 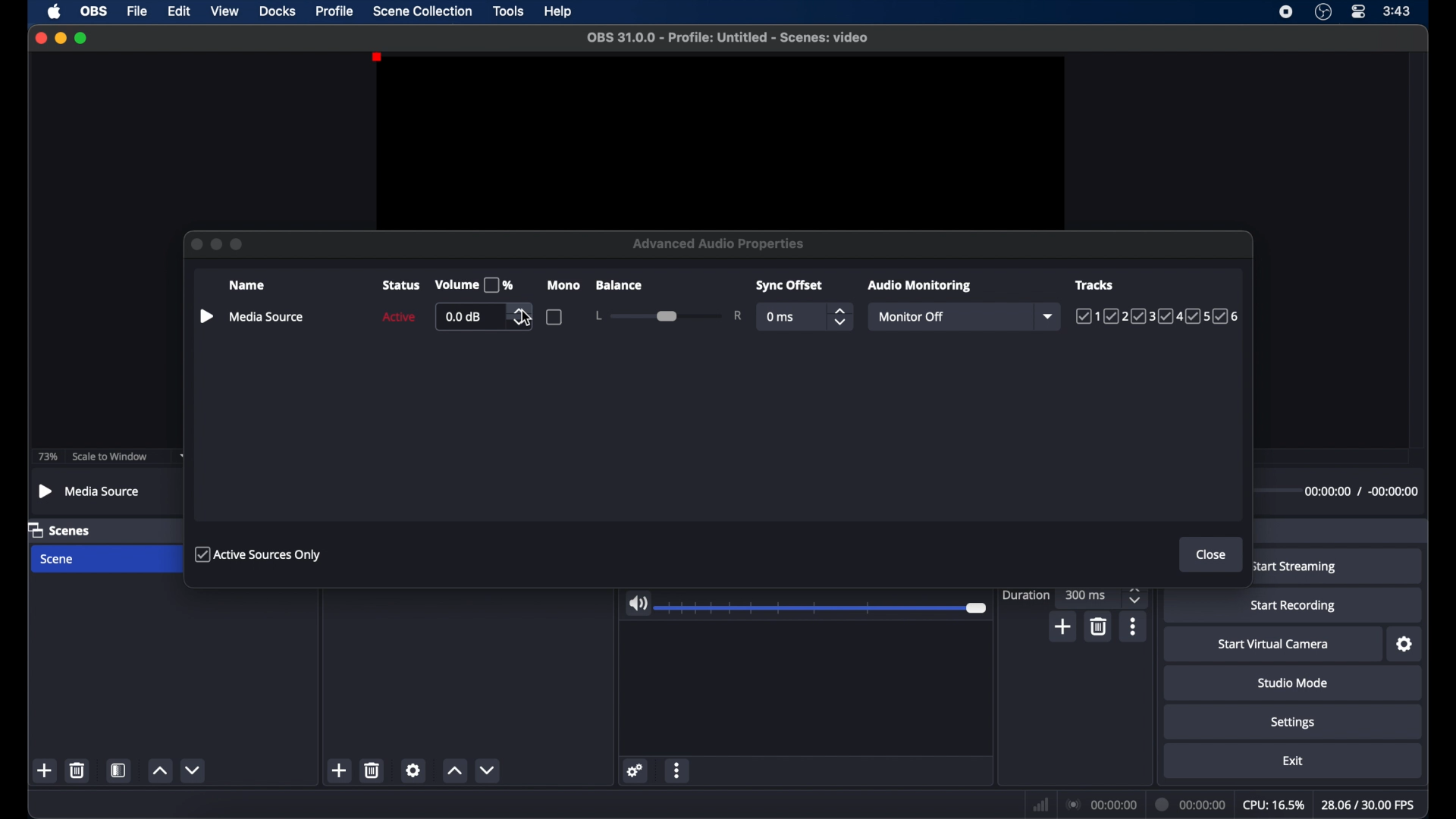 I want to click on exit, so click(x=1295, y=761).